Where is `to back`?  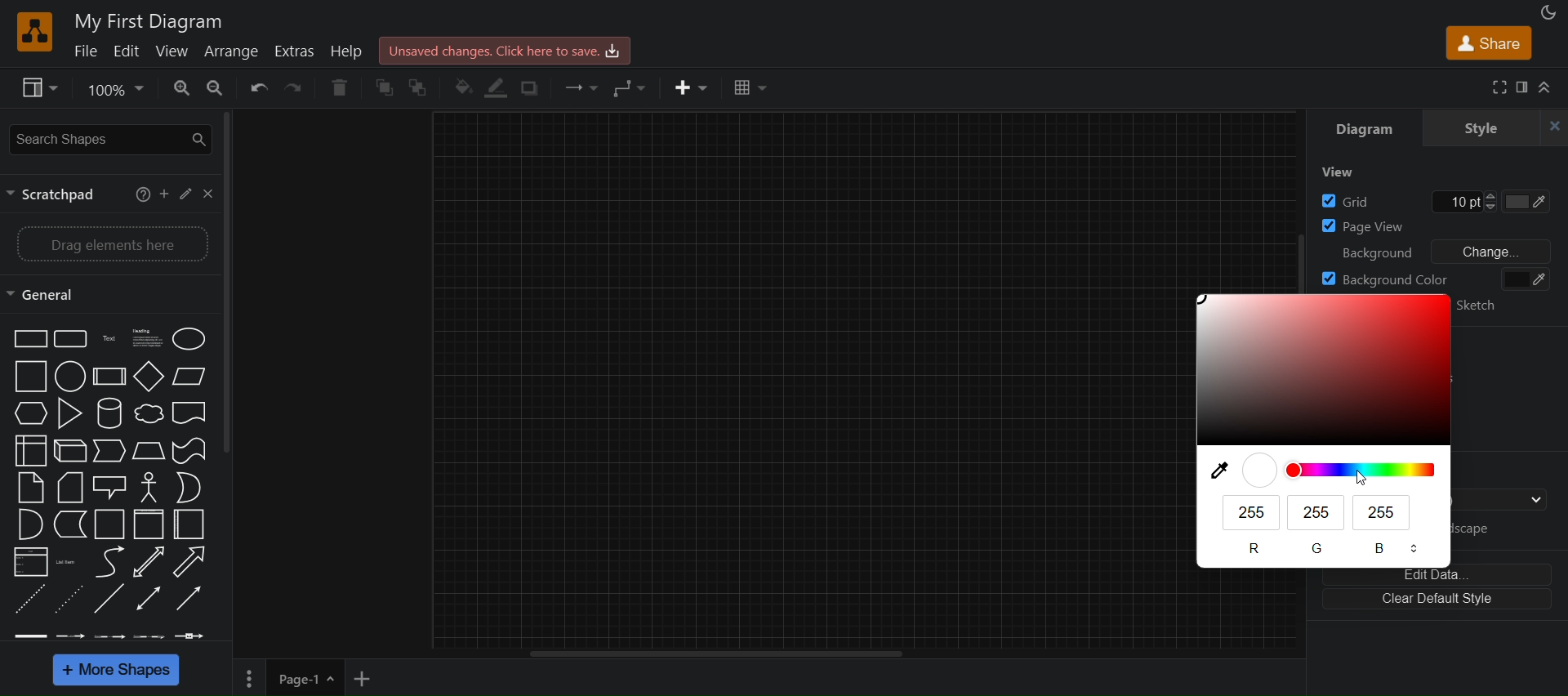
to back is located at coordinates (425, 85).